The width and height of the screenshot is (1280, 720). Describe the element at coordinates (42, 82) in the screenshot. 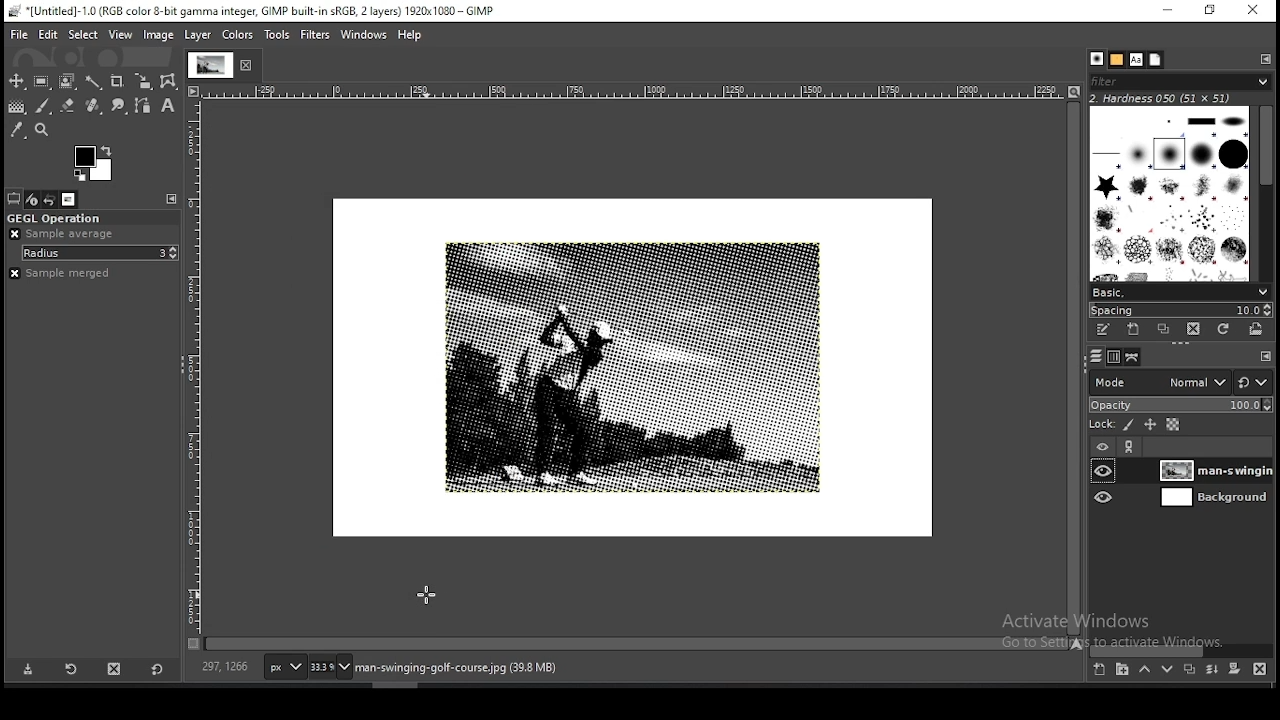

I see `rectangle select tool` at that location.